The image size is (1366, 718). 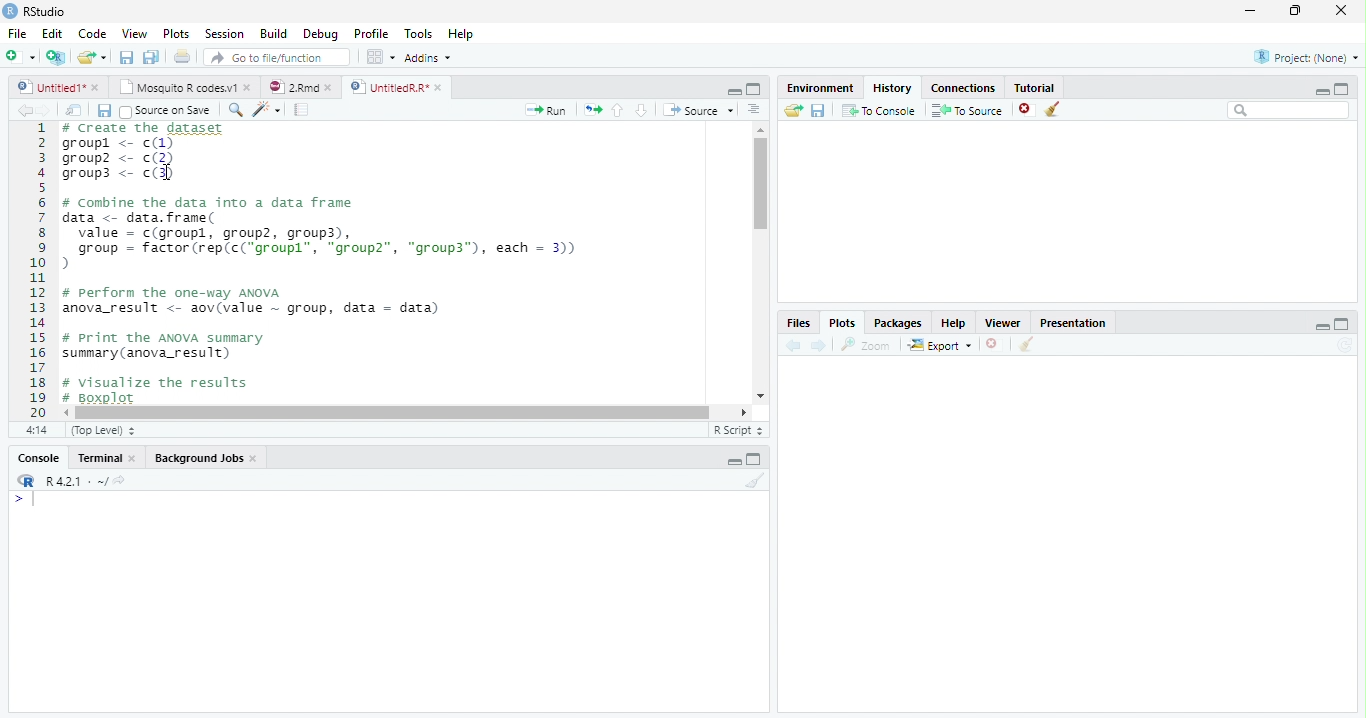 I want to click on Copy pages, so click(x=590, y=109).